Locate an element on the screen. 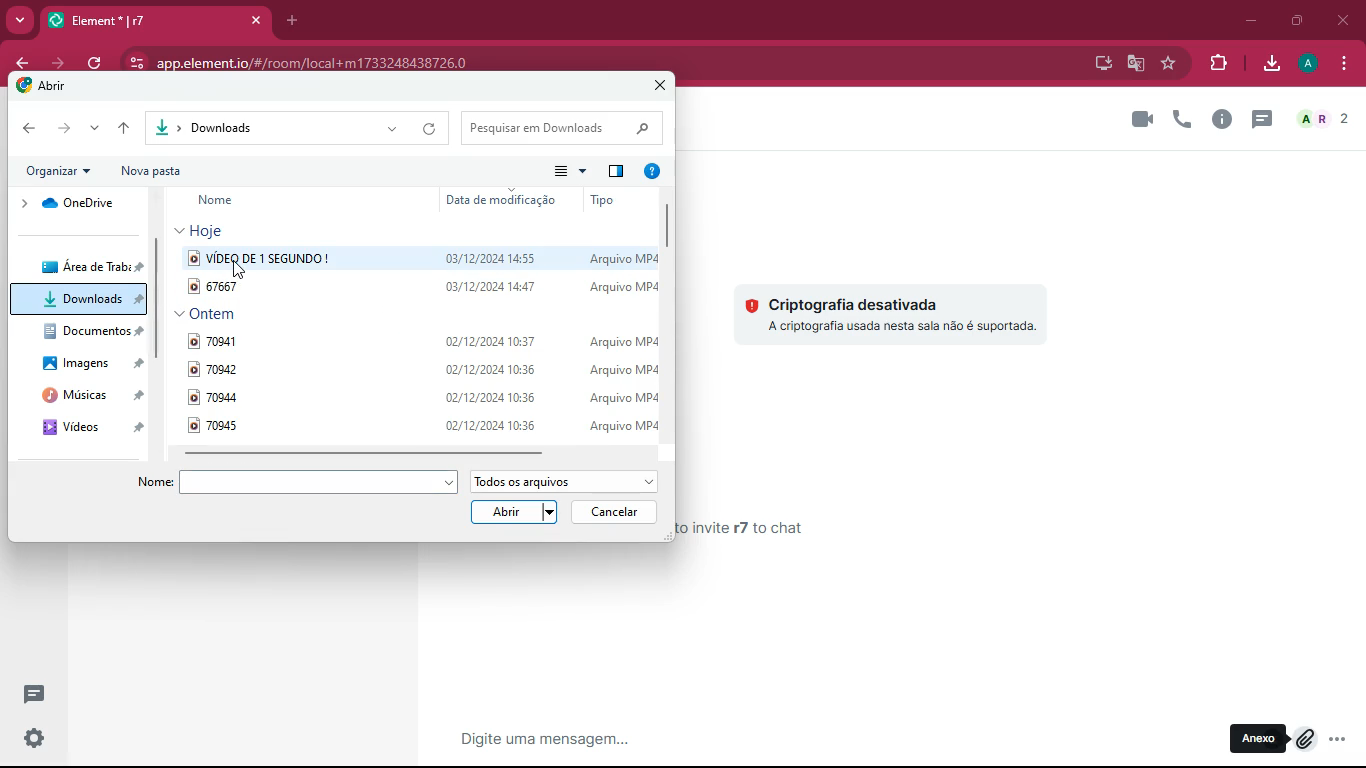 This screenshot has width=1366, height=768. pesquisar em downloads is located at coordinates (565, 127).